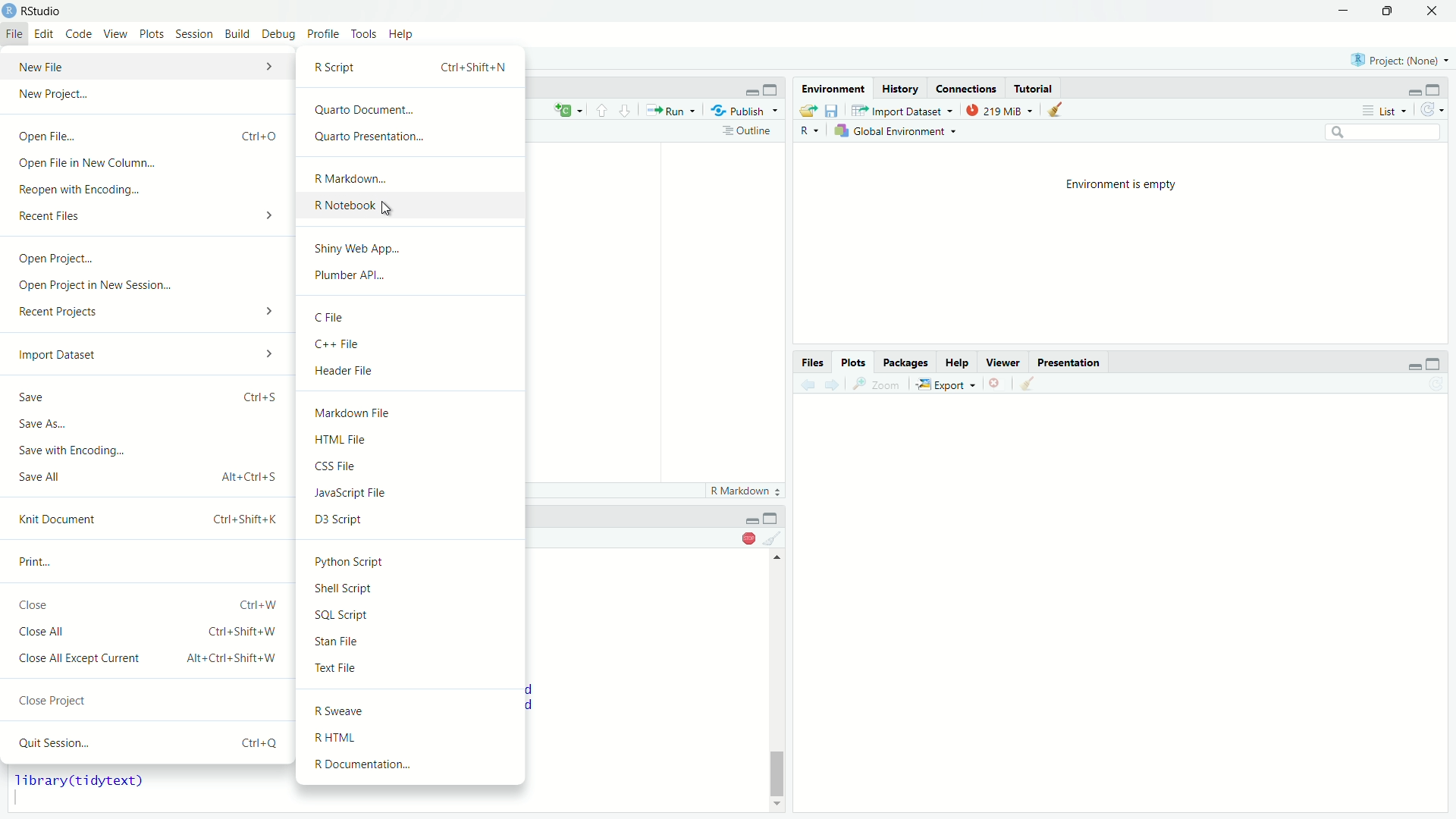  Describe the element at coordinates (410, 668) in the screenshot. I see `Text File` at that location.